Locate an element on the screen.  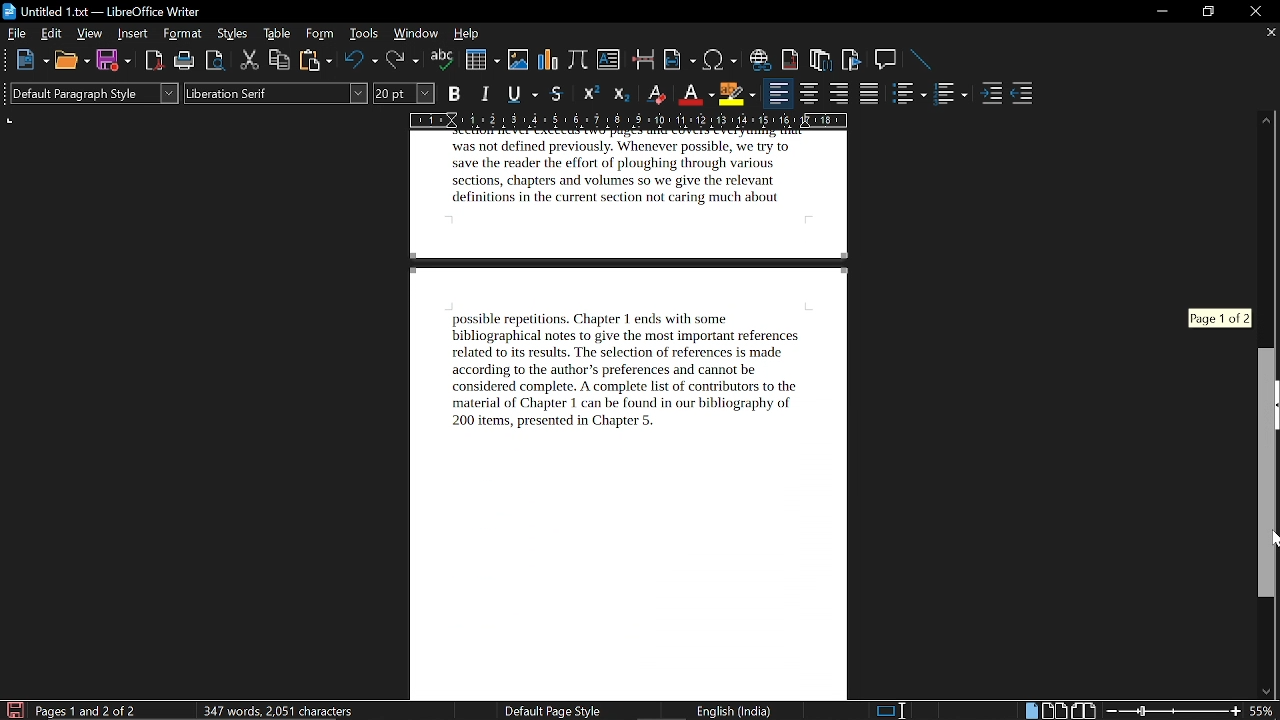
new is located at coordinates (31, 61).